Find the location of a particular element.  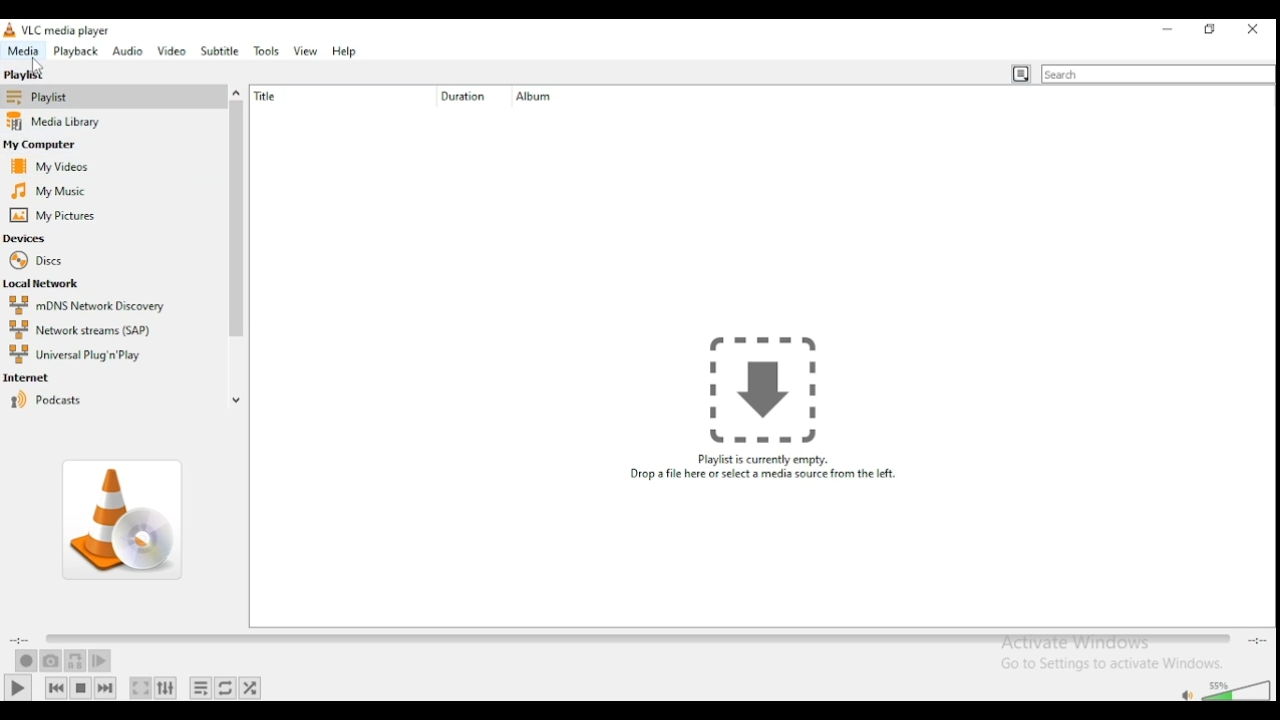

media library is located at coordinates (58, 122).